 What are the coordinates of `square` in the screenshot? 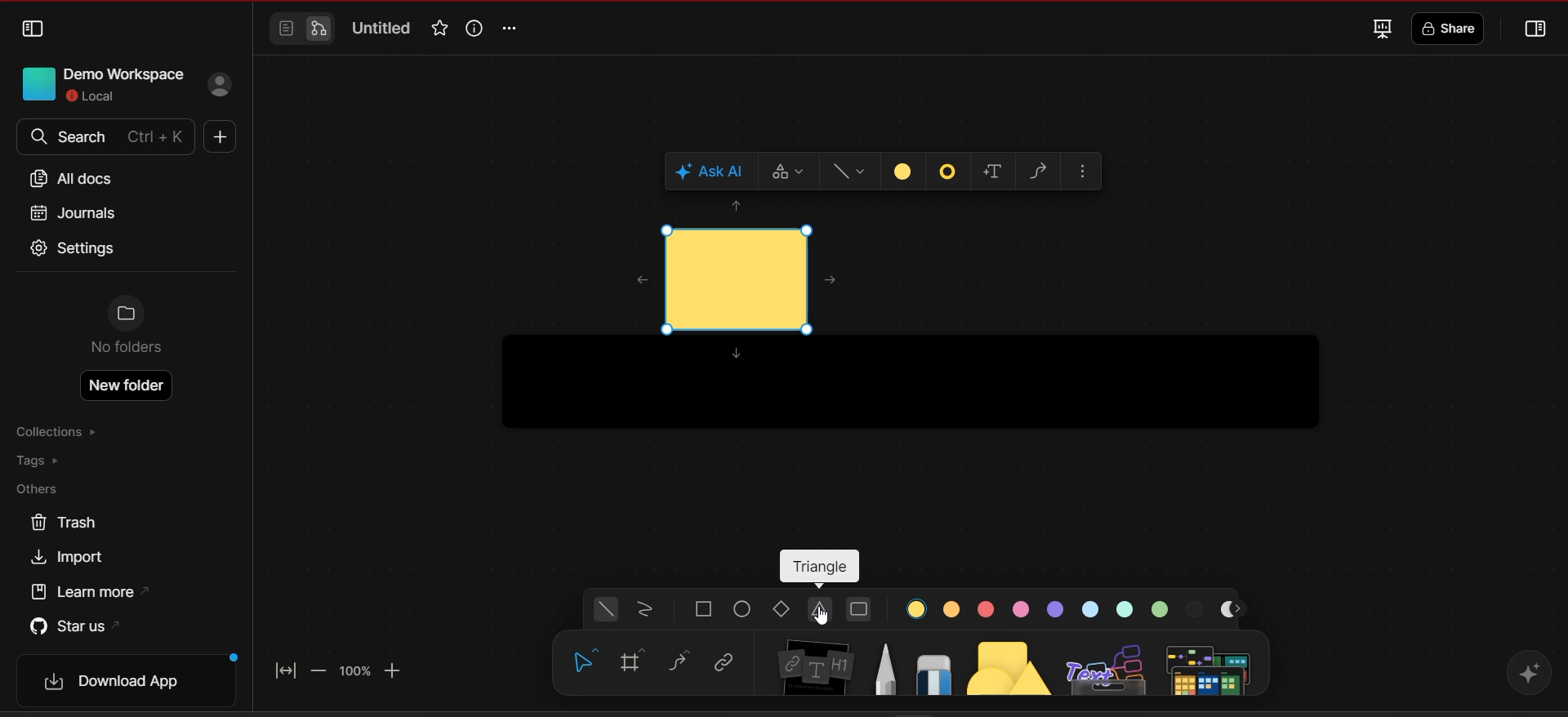 It's located at (704, 609).